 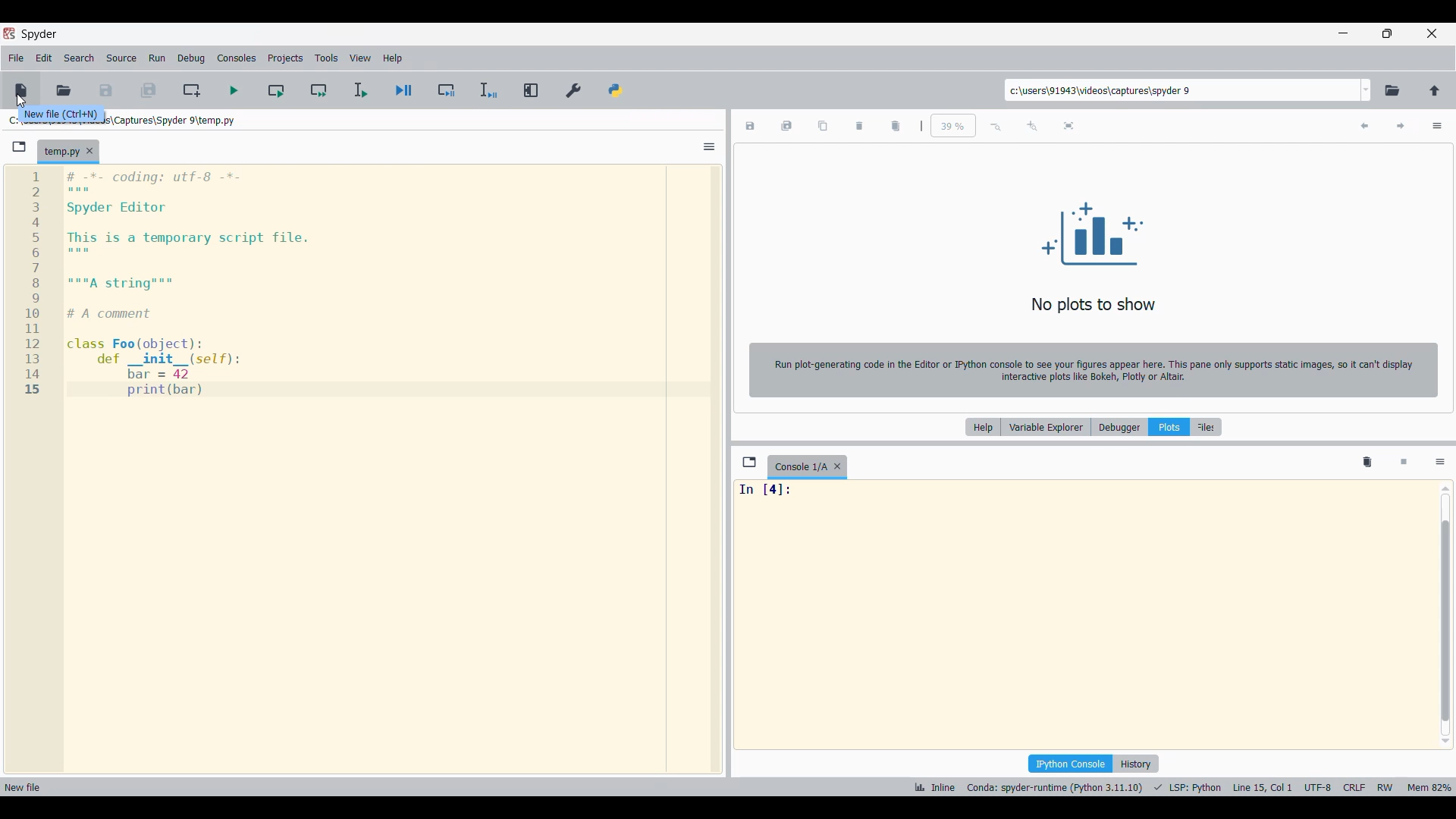 I want to click on encoding, so click(x=1314, y=786).